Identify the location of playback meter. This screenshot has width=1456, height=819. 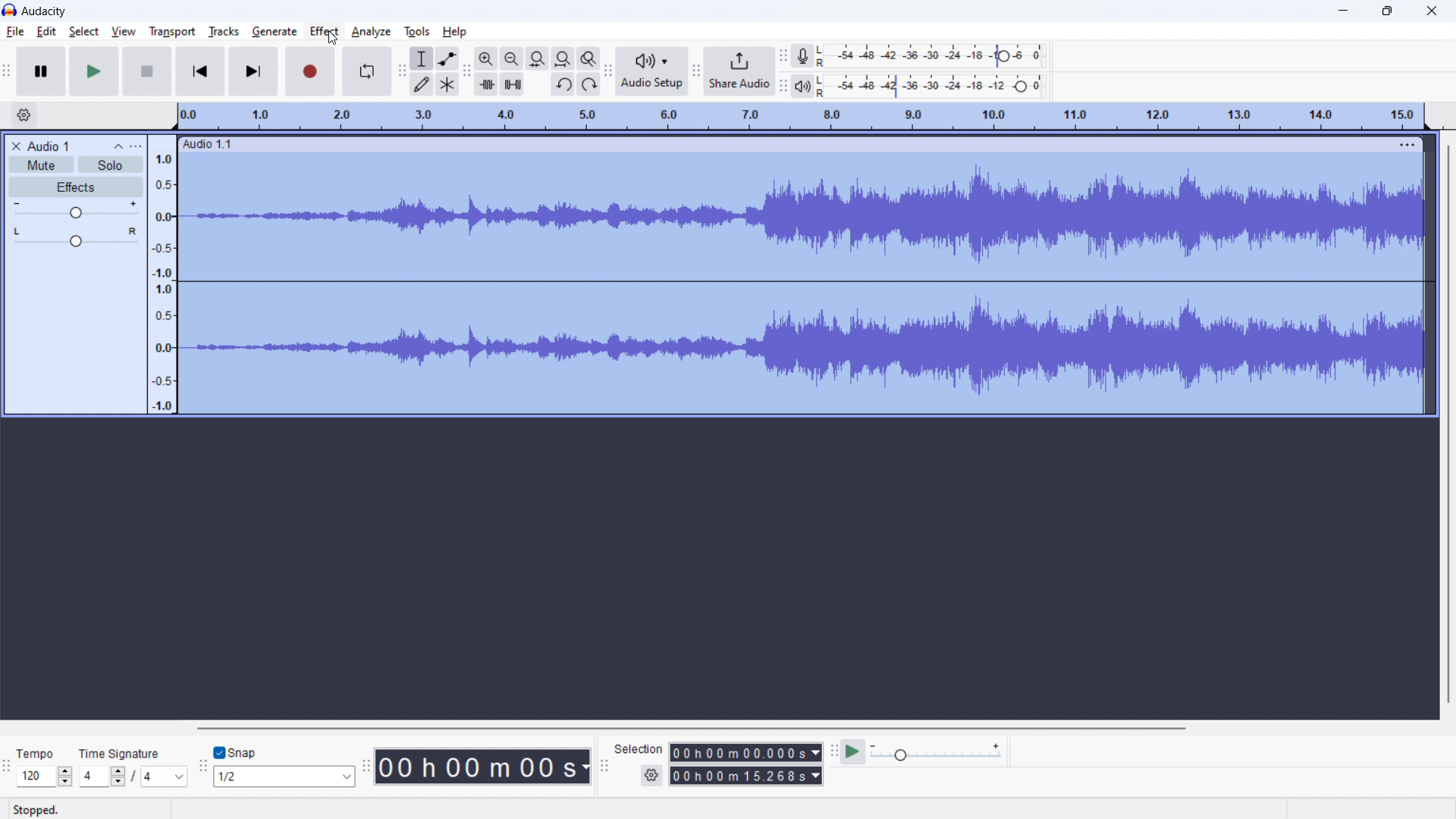
(809, 86).